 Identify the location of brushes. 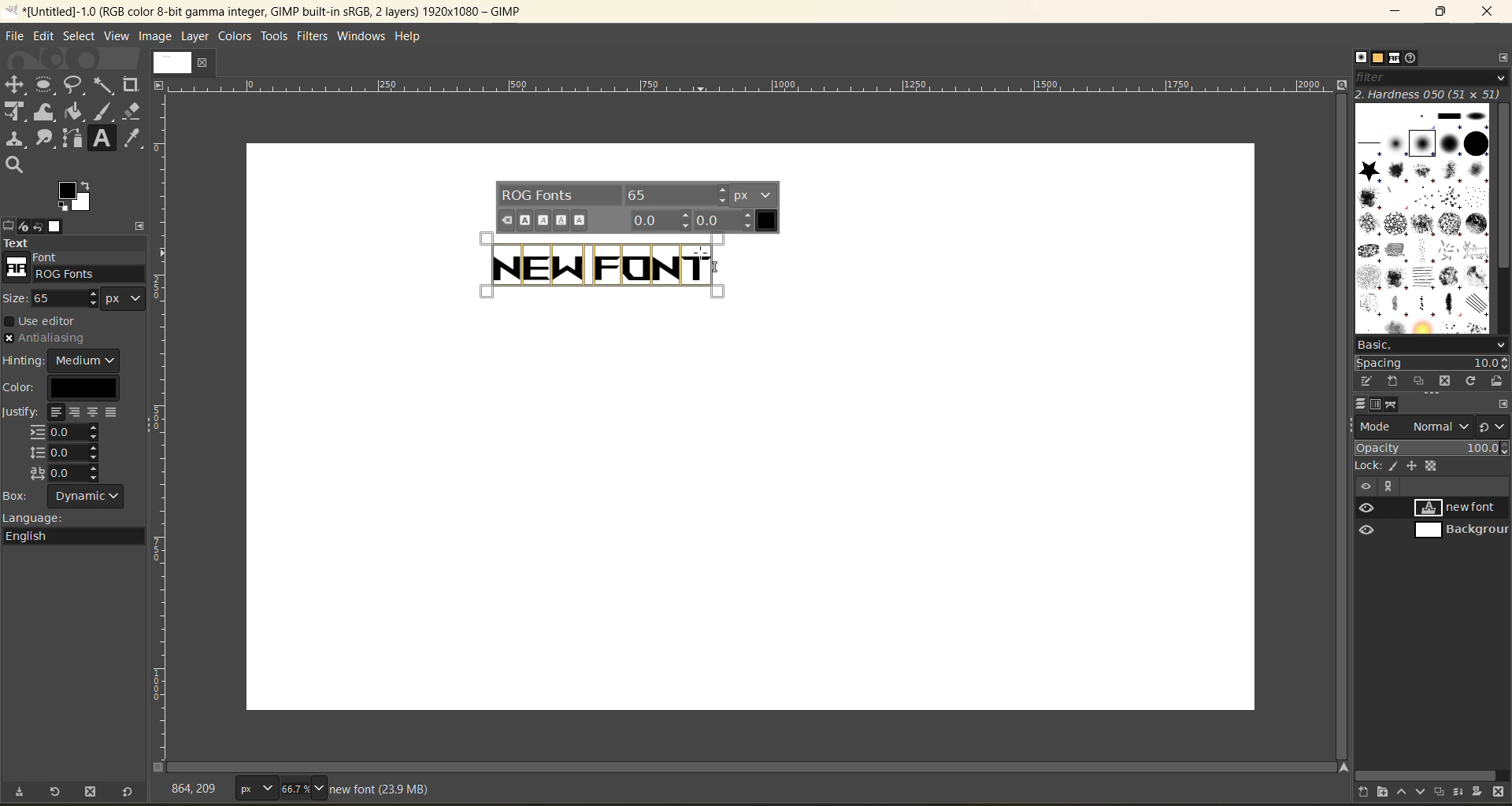
(1361, 57).